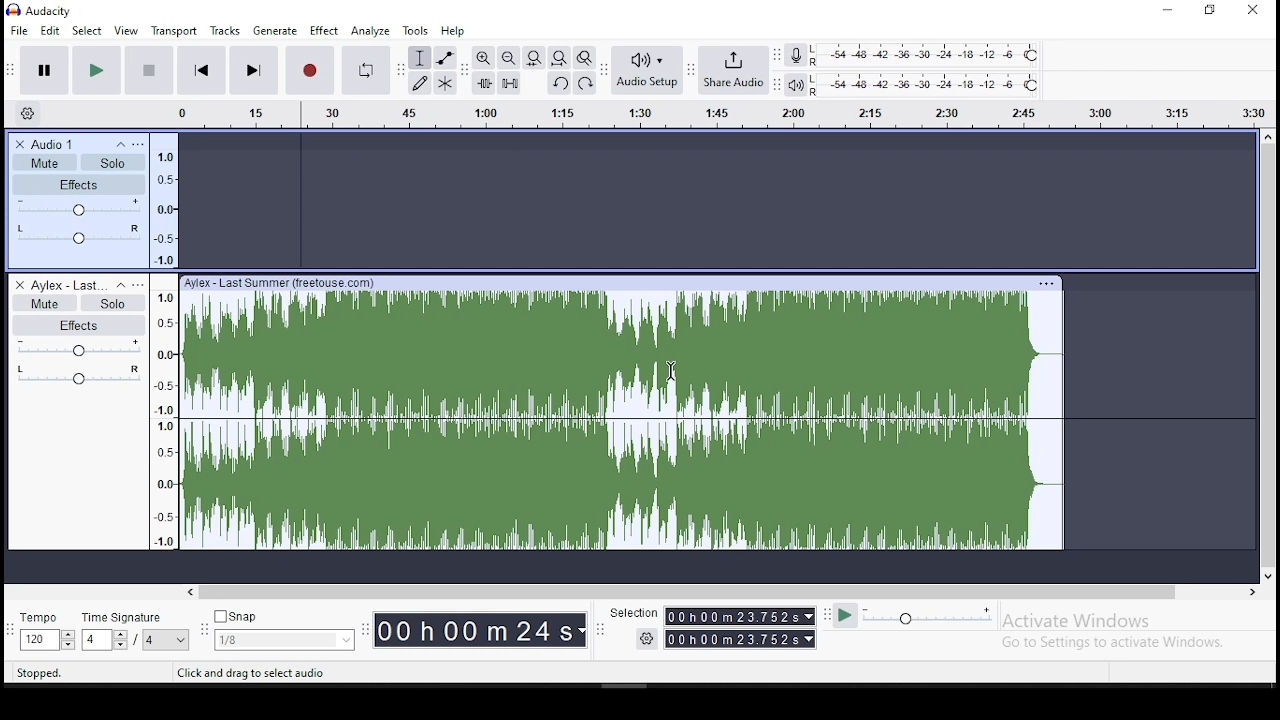  I want to click on open menu, so click(139, 283).